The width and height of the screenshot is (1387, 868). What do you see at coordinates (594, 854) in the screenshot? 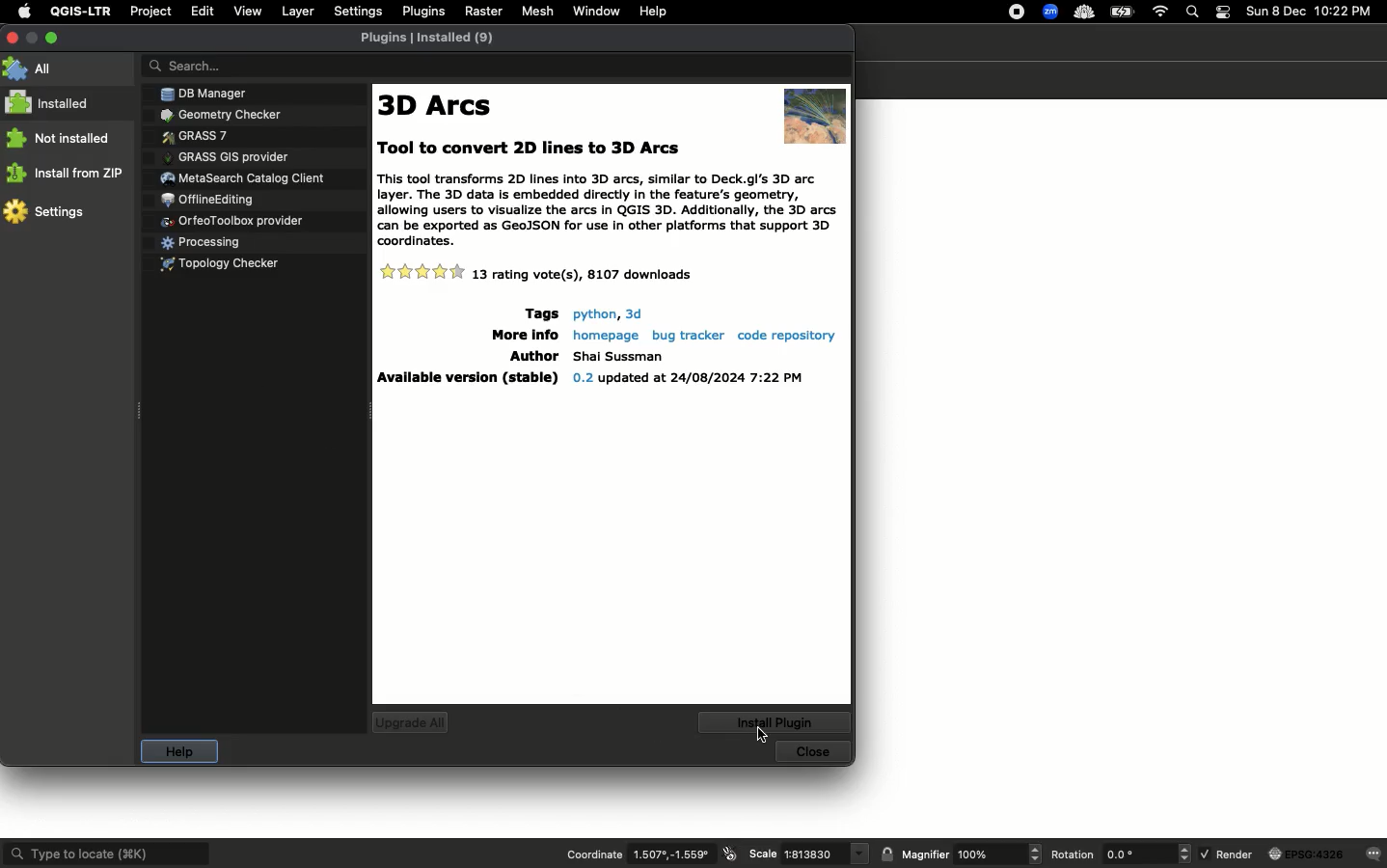
I see `Coordinate` at bounding box center [594, 854].